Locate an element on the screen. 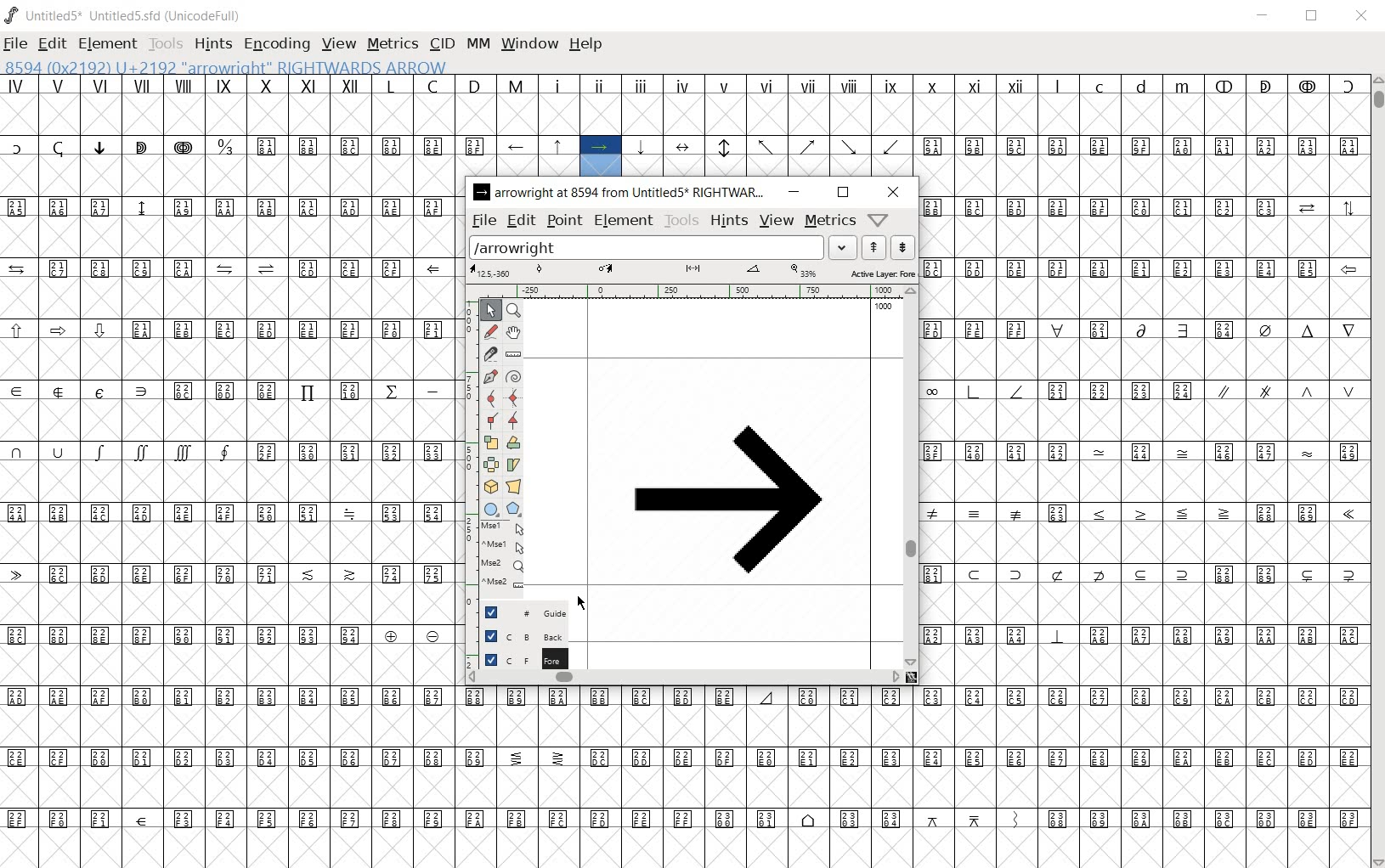 This screenshot has width=1385, height=868. cut splines in two is located at coordinates (489, 352).